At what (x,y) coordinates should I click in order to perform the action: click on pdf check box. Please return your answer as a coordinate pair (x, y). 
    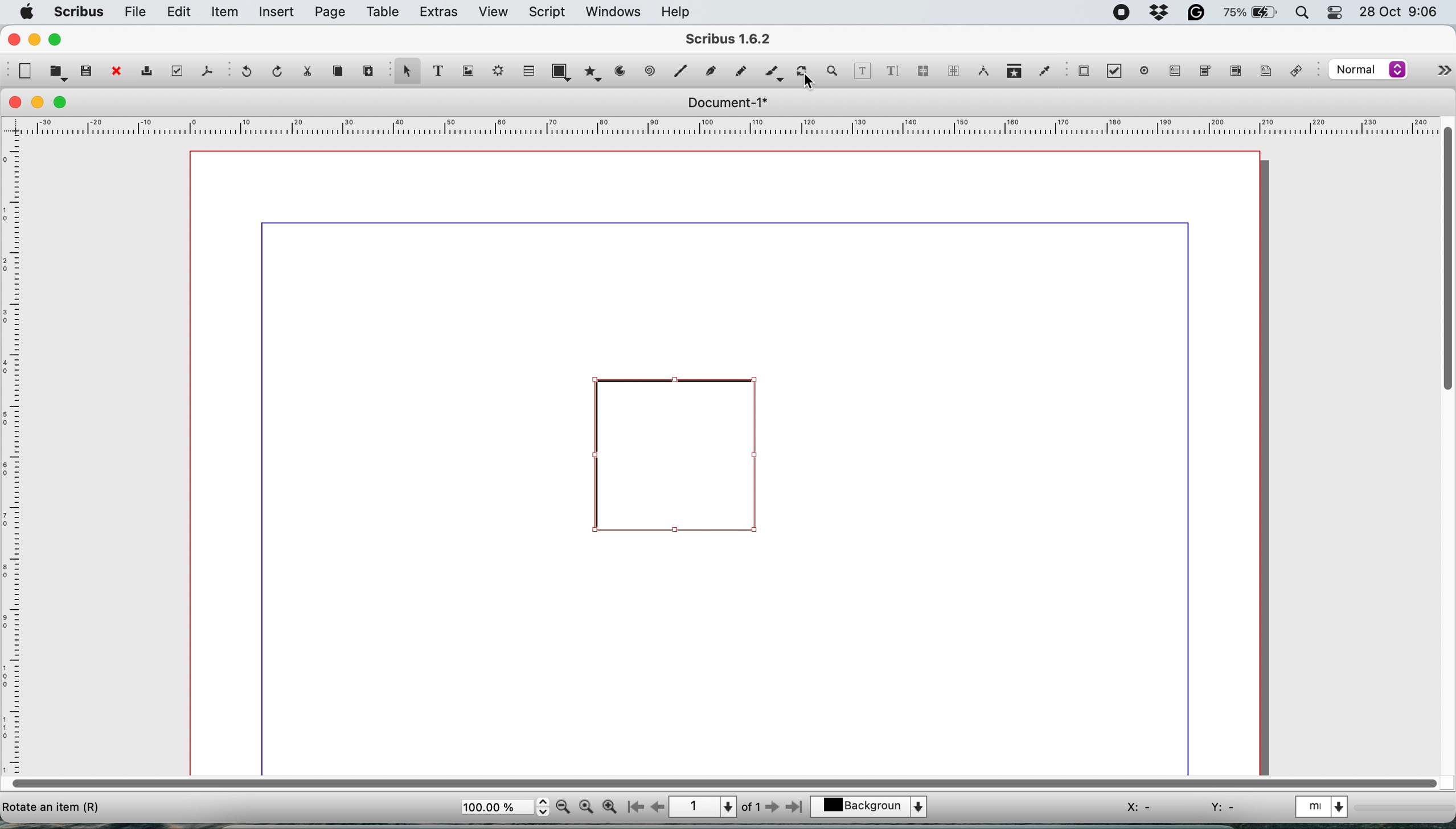
    Looking at the image, I should click on (1114, 71).